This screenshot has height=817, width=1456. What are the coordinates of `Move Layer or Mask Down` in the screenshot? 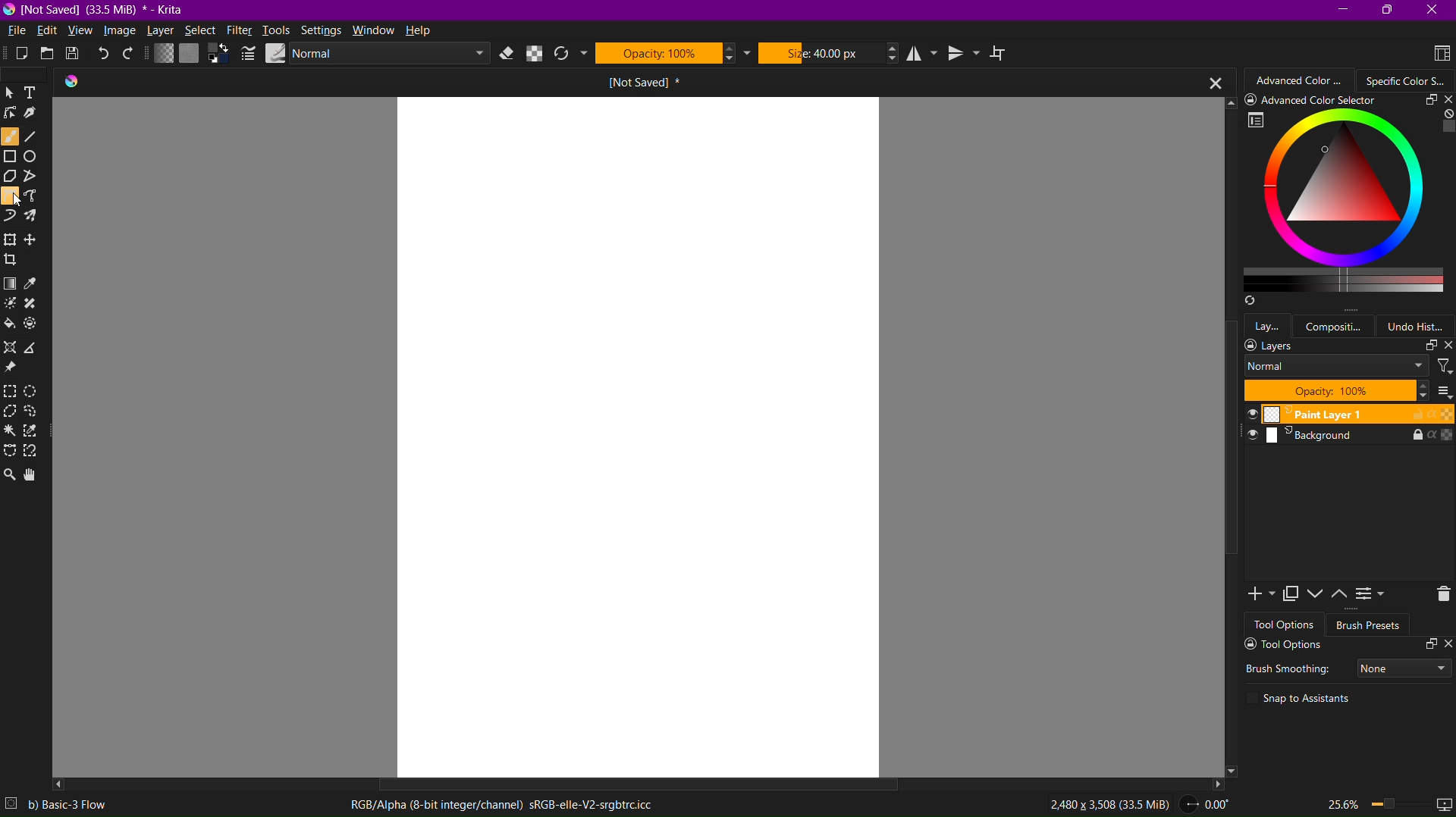 It's located at (1318, 594).